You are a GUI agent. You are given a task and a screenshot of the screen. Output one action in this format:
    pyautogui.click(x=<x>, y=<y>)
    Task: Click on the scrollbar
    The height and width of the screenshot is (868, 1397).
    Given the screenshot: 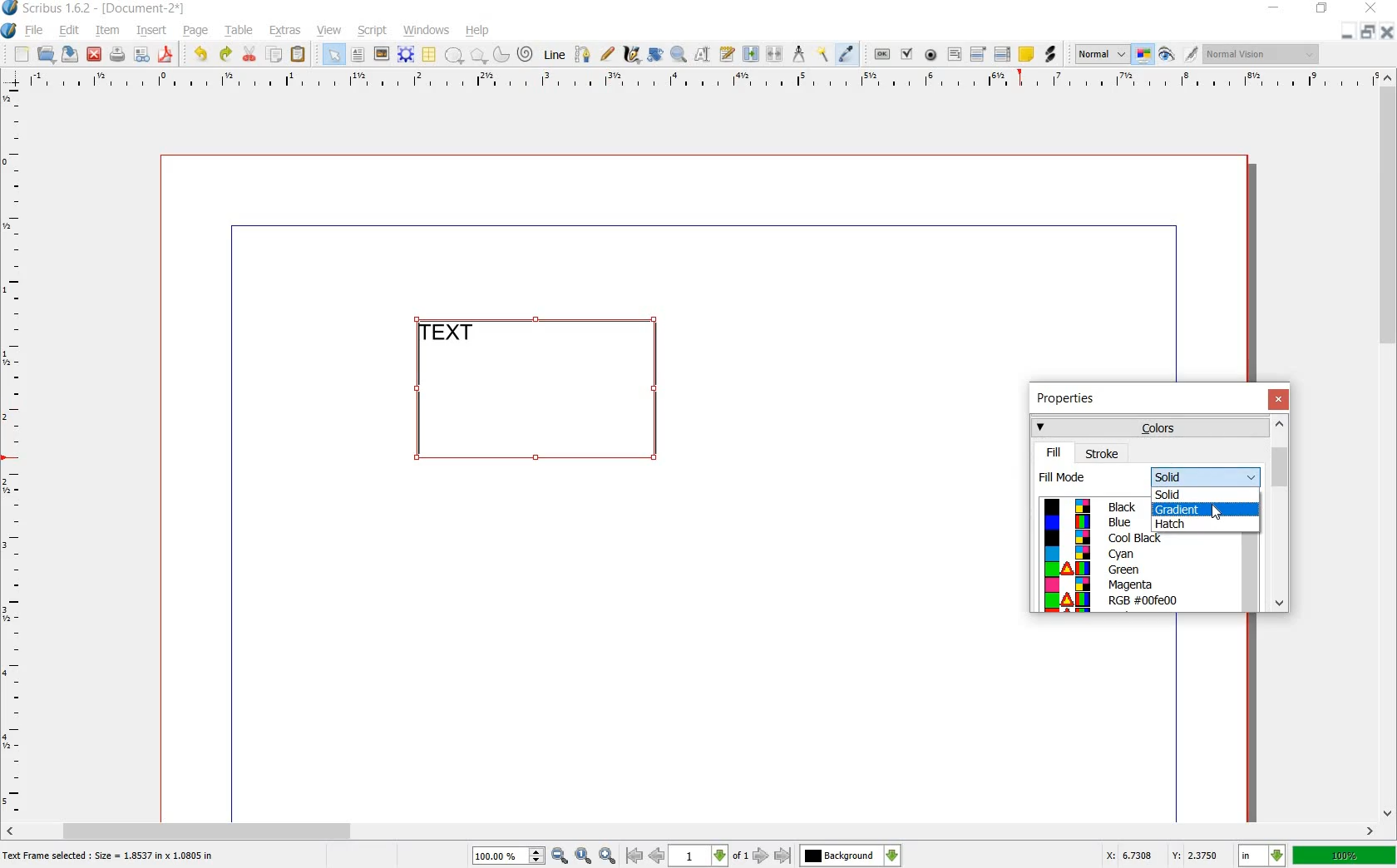 What is the action you would take?
    pyautogui.click(x=1279, y=513)
    